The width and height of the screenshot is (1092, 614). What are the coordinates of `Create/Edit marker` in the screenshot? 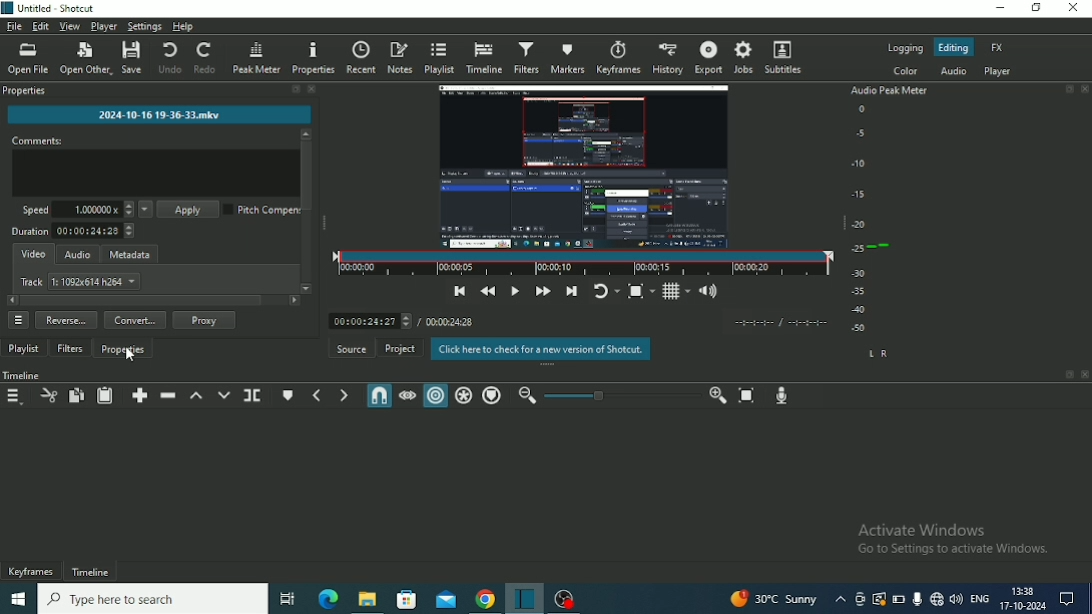 It's located at (288, 396).